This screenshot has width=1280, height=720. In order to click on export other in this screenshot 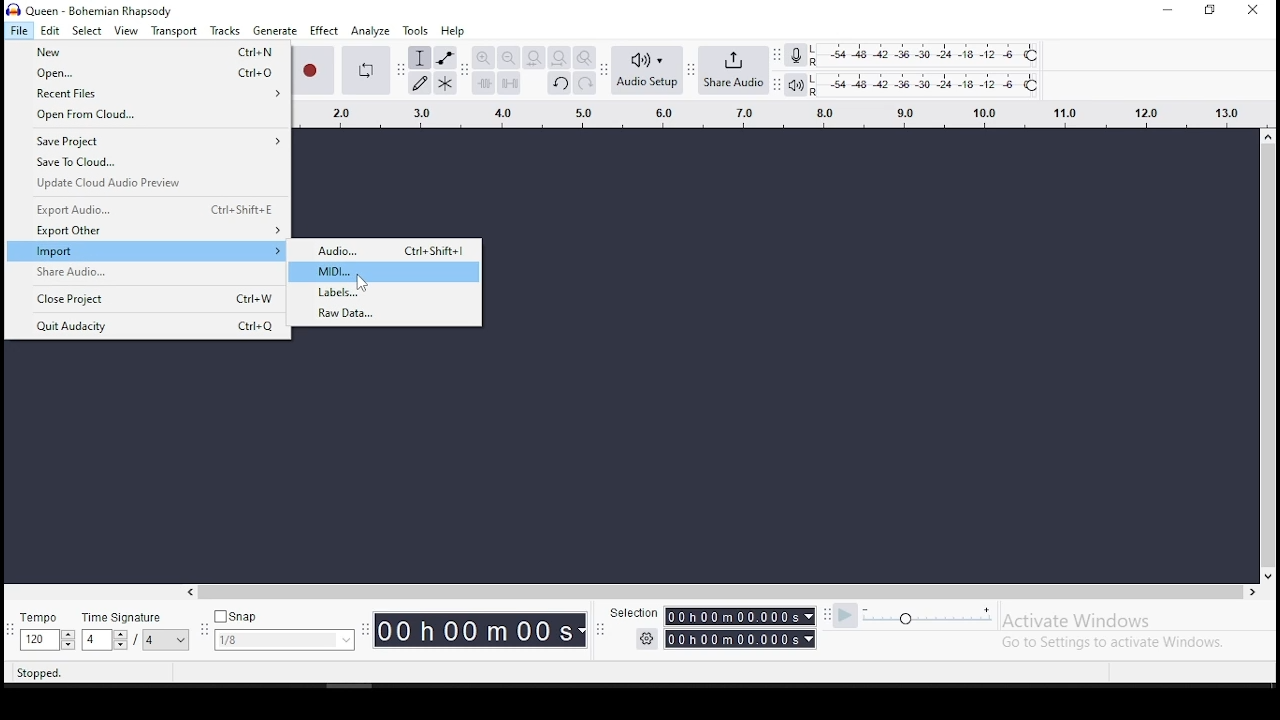, I will do `click(148, 232)`.